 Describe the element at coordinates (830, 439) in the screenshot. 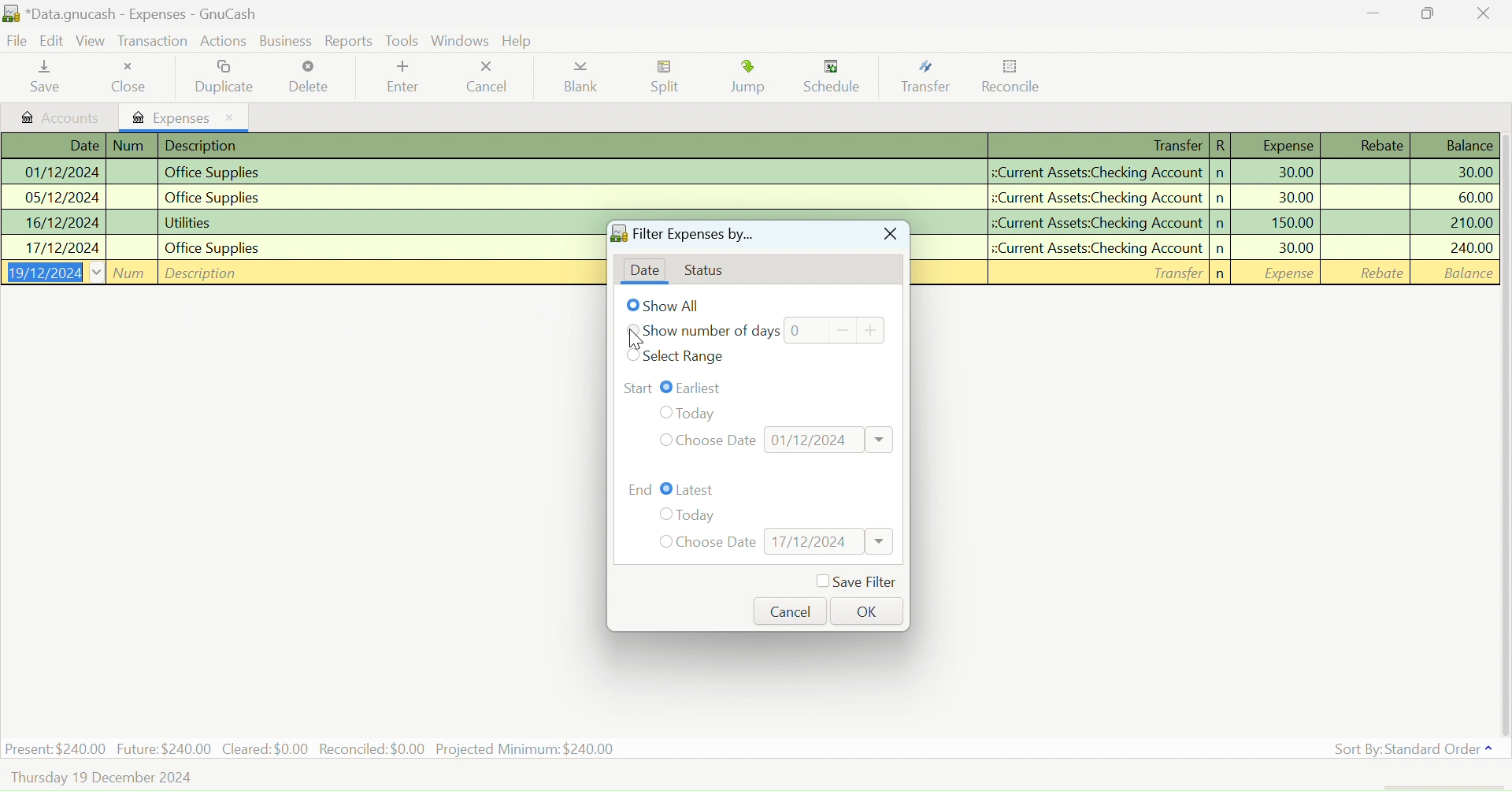

I see `Date Input` at that location.